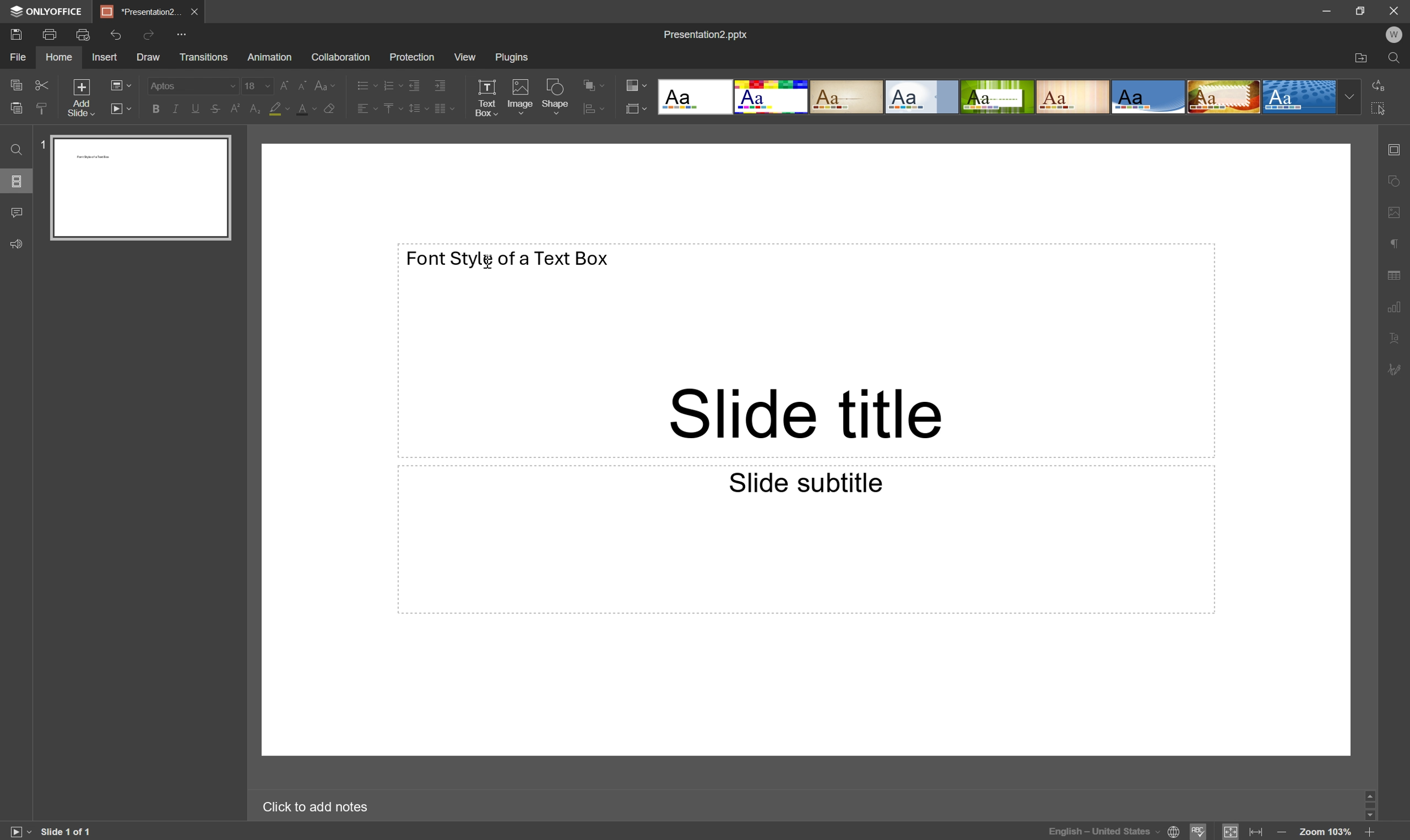 This screenshot has height=840, width=1410. What do you see at coordinates (19, 832) in the screenshot?
I see `Start Slideshow` at bounding box center [19, 832].